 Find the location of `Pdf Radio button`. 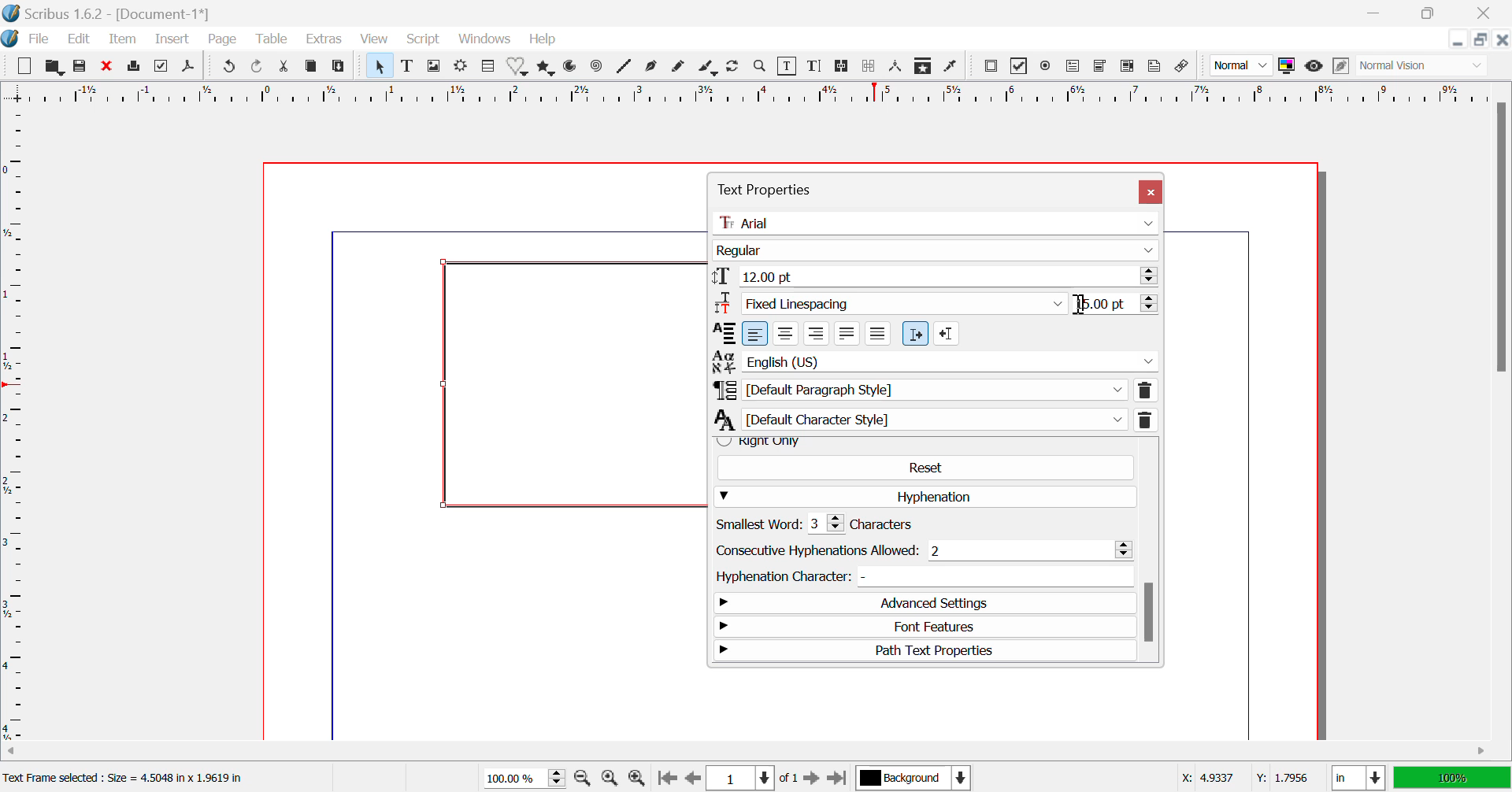

Pdf Radio button is located at coordinates (1048, 66).